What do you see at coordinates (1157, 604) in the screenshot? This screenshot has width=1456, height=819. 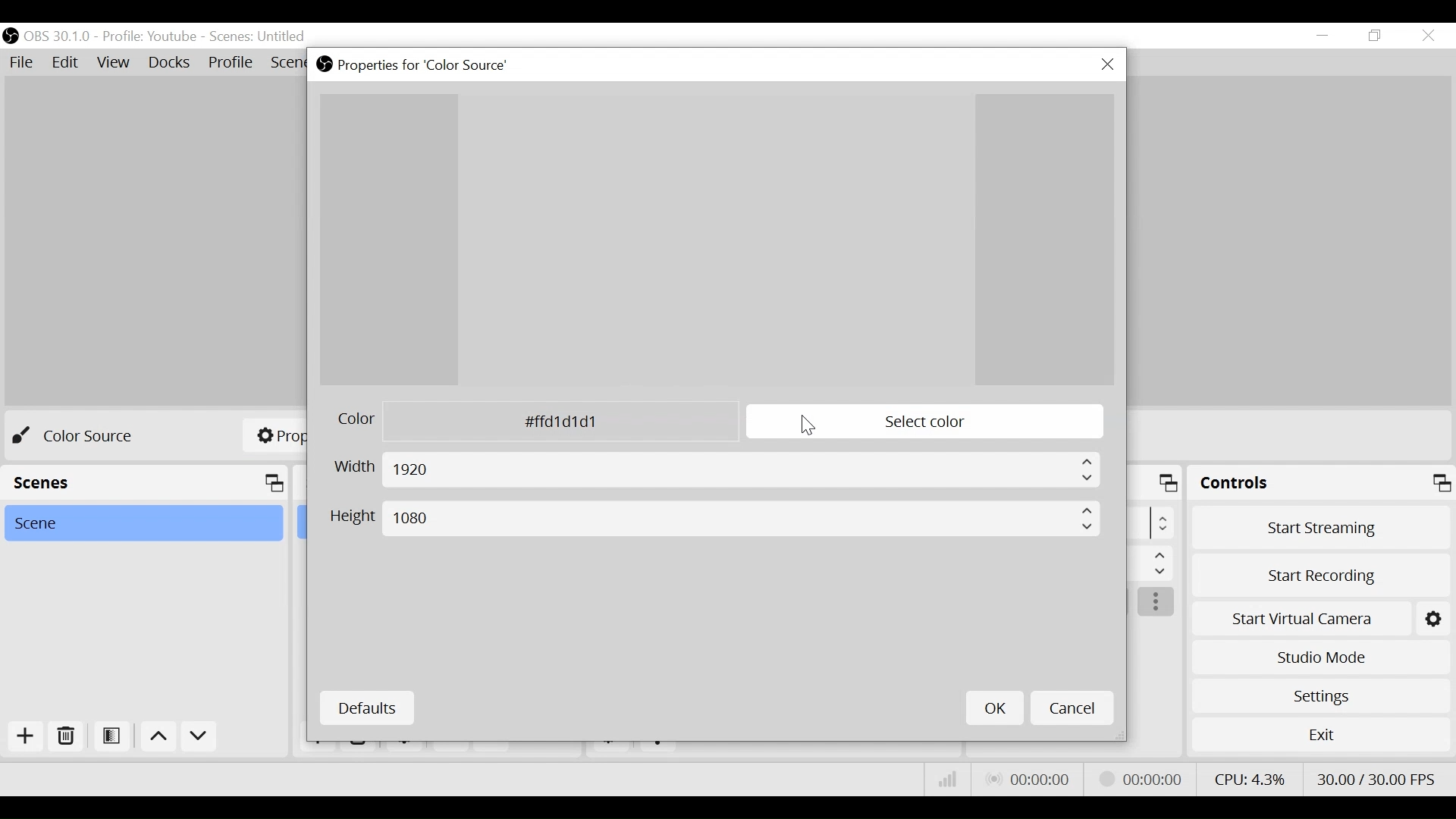 I see `more options` at bounding box center [1157, 604].